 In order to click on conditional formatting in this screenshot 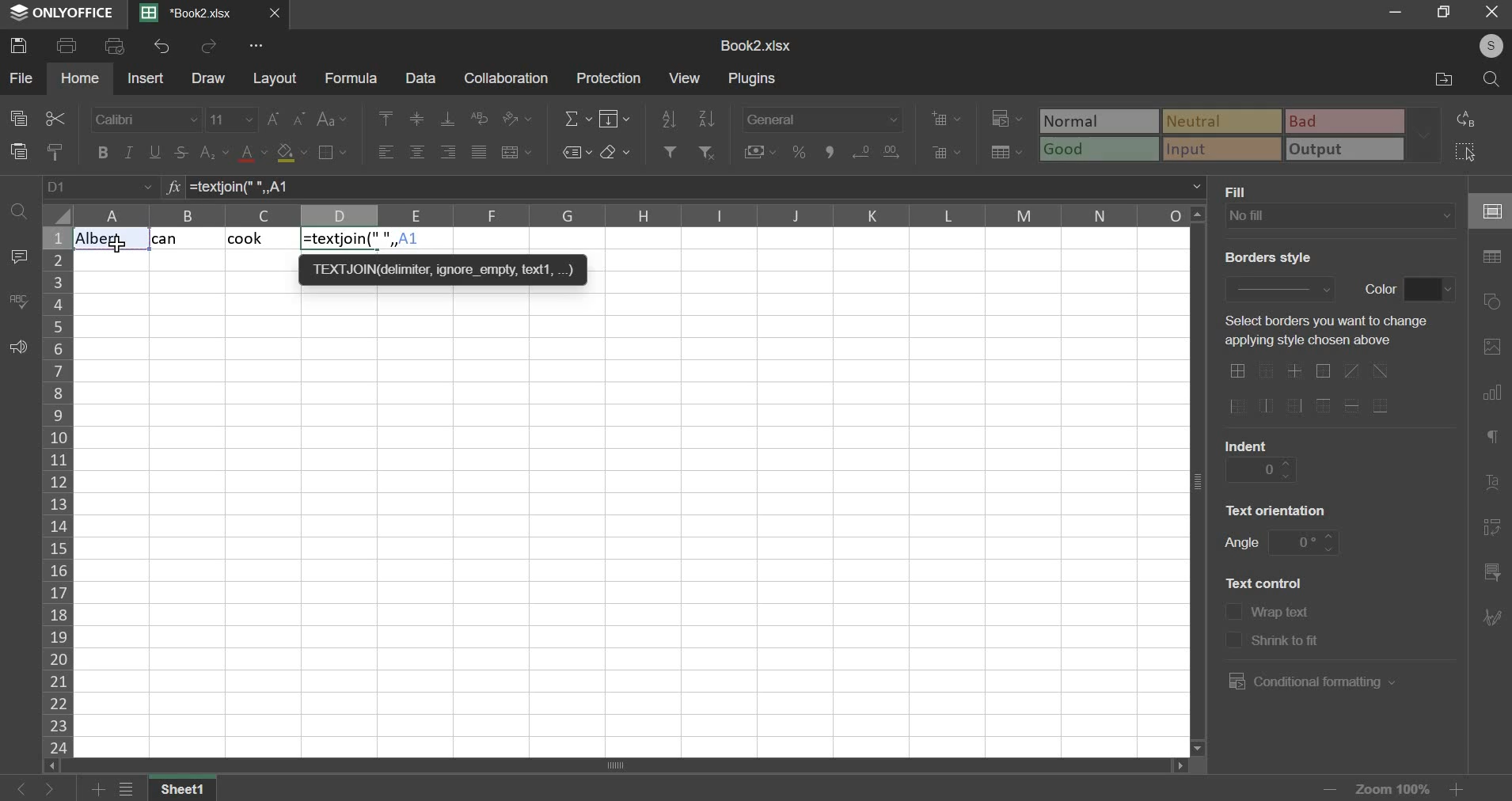, I will do `click(1005, 120)`.